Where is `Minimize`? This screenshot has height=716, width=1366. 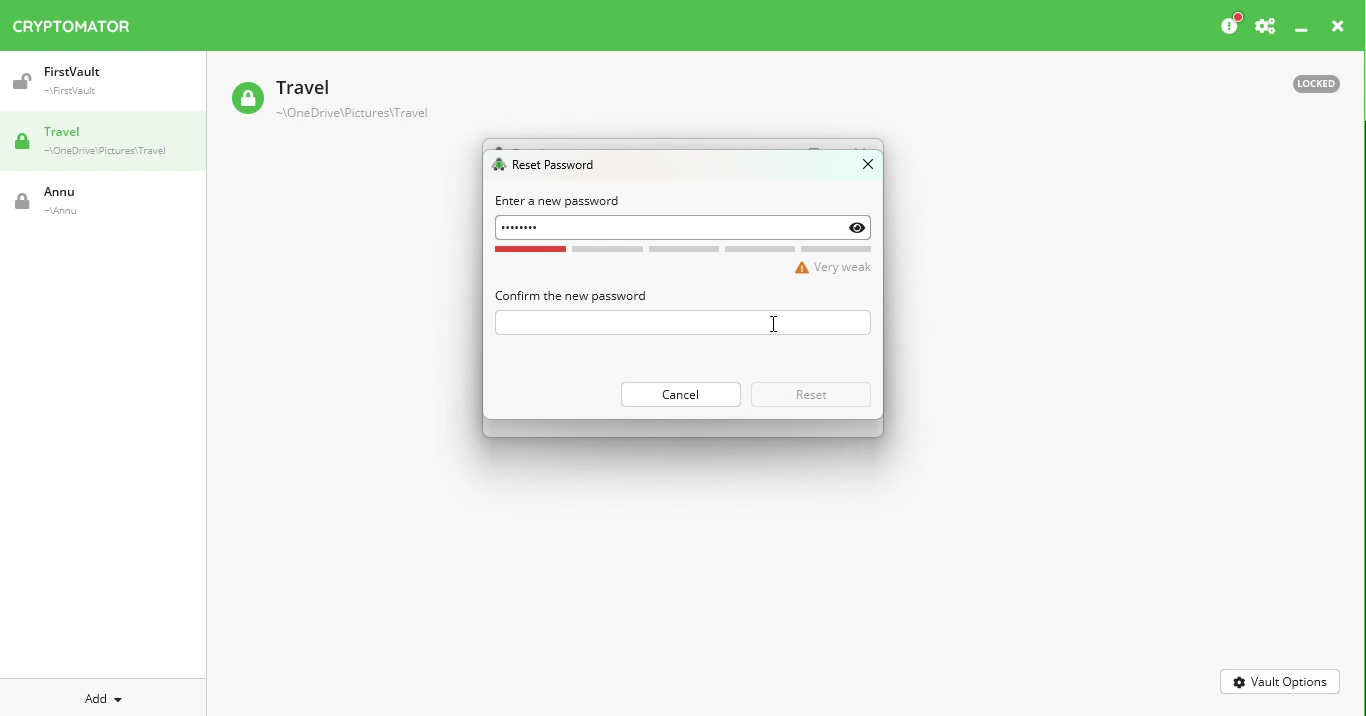 Minimize is located at coordinates (1302, 31).